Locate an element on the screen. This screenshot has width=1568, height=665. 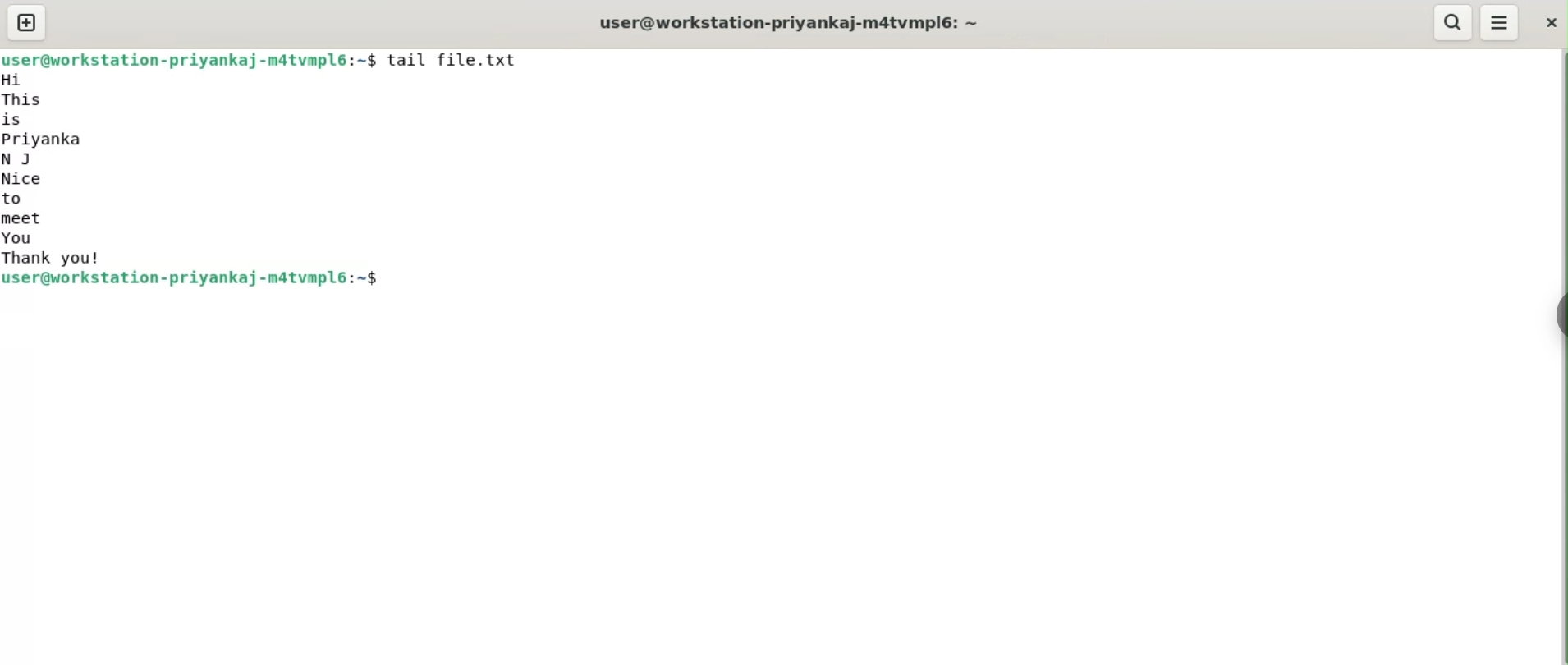
menu is located at coordinates (1498, 24).